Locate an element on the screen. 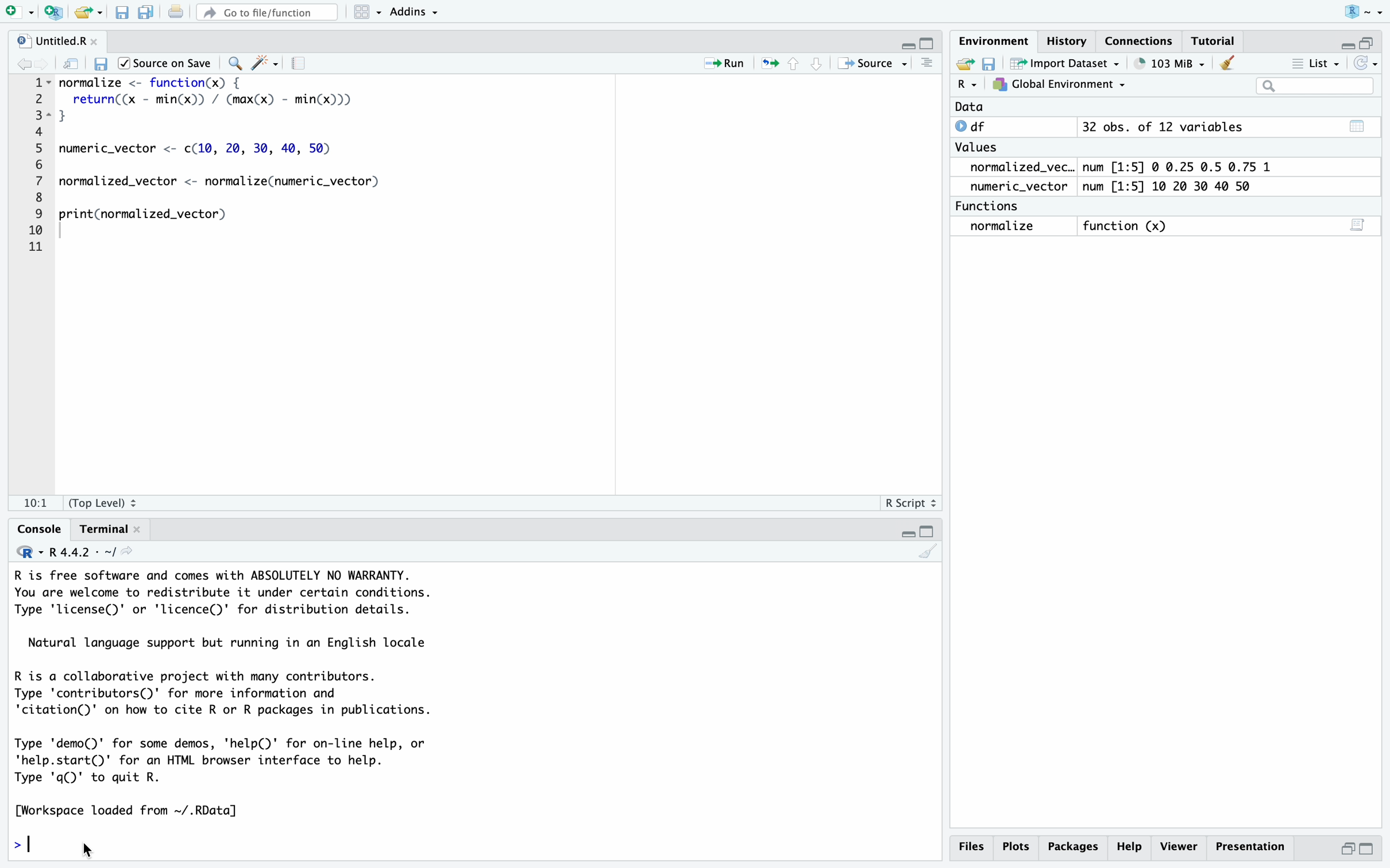  Minimize is located at coordinates (905, 44).